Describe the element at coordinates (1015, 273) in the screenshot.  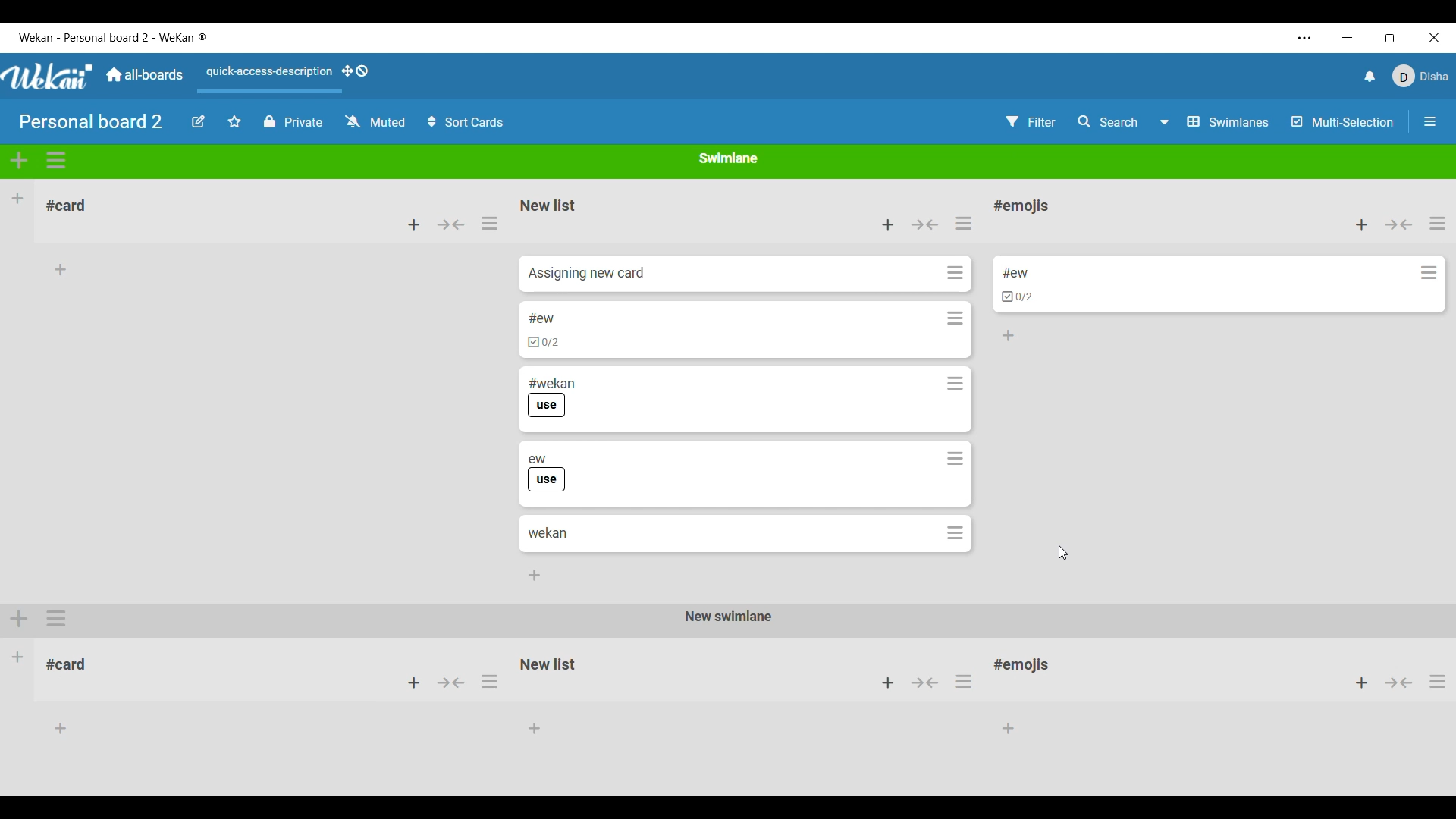
I see `Card title` at that location.